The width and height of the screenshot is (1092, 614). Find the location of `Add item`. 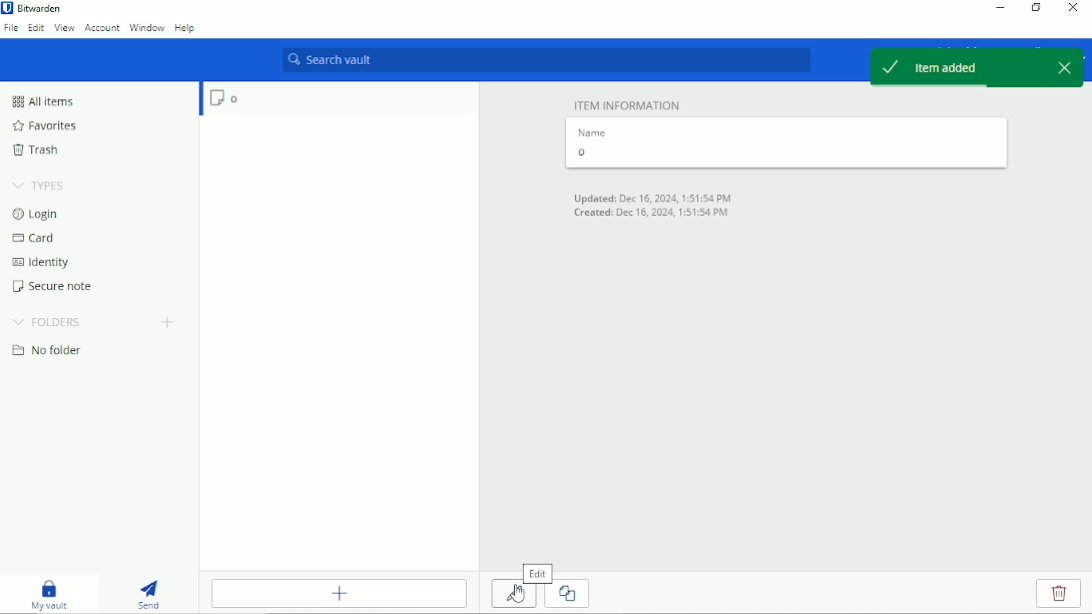

Add item is located at coordinates (341, 594).